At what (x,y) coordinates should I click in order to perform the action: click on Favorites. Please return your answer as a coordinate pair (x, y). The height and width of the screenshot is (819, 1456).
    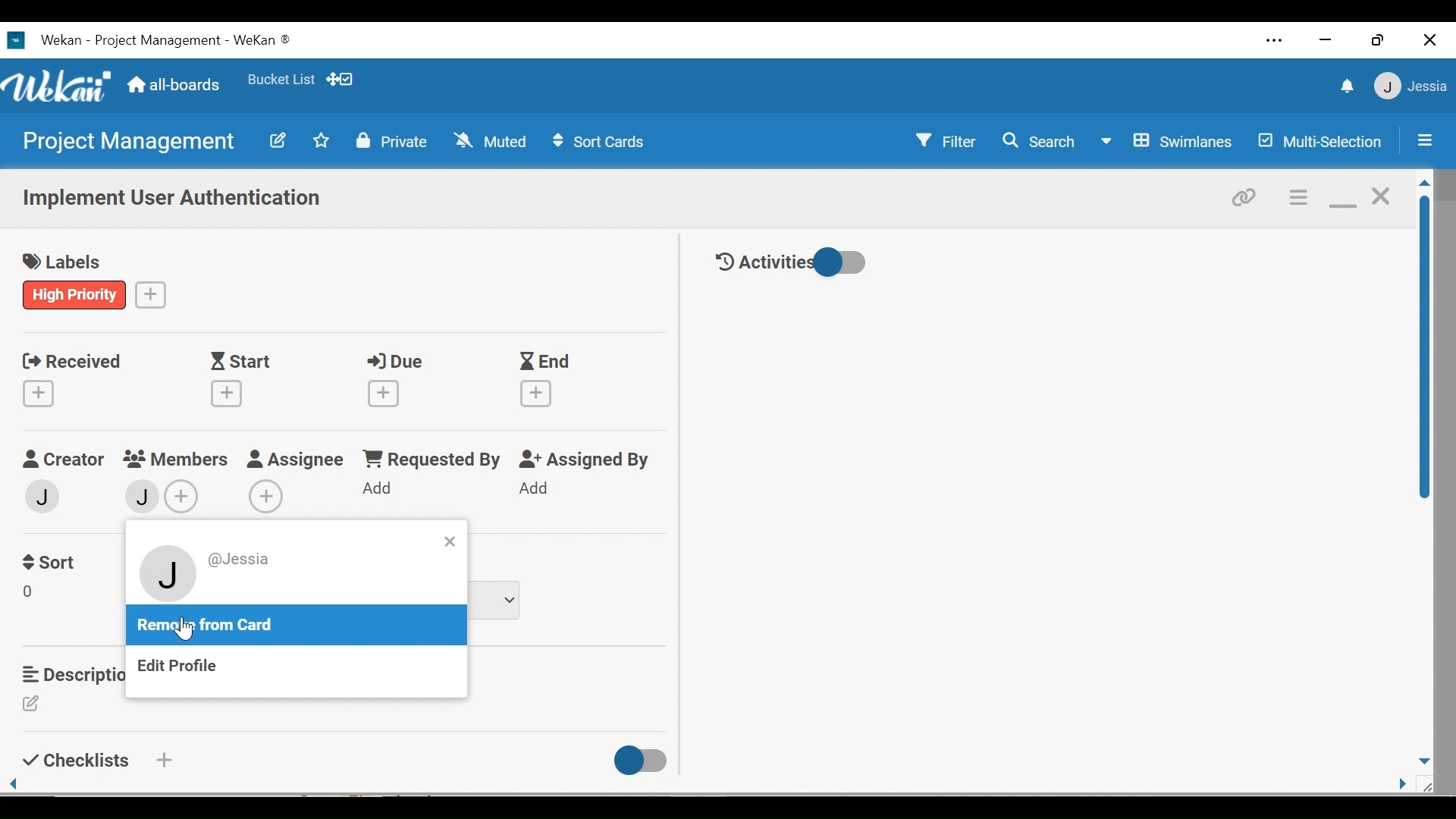
    Looking at the image, I should click on (280, 80).